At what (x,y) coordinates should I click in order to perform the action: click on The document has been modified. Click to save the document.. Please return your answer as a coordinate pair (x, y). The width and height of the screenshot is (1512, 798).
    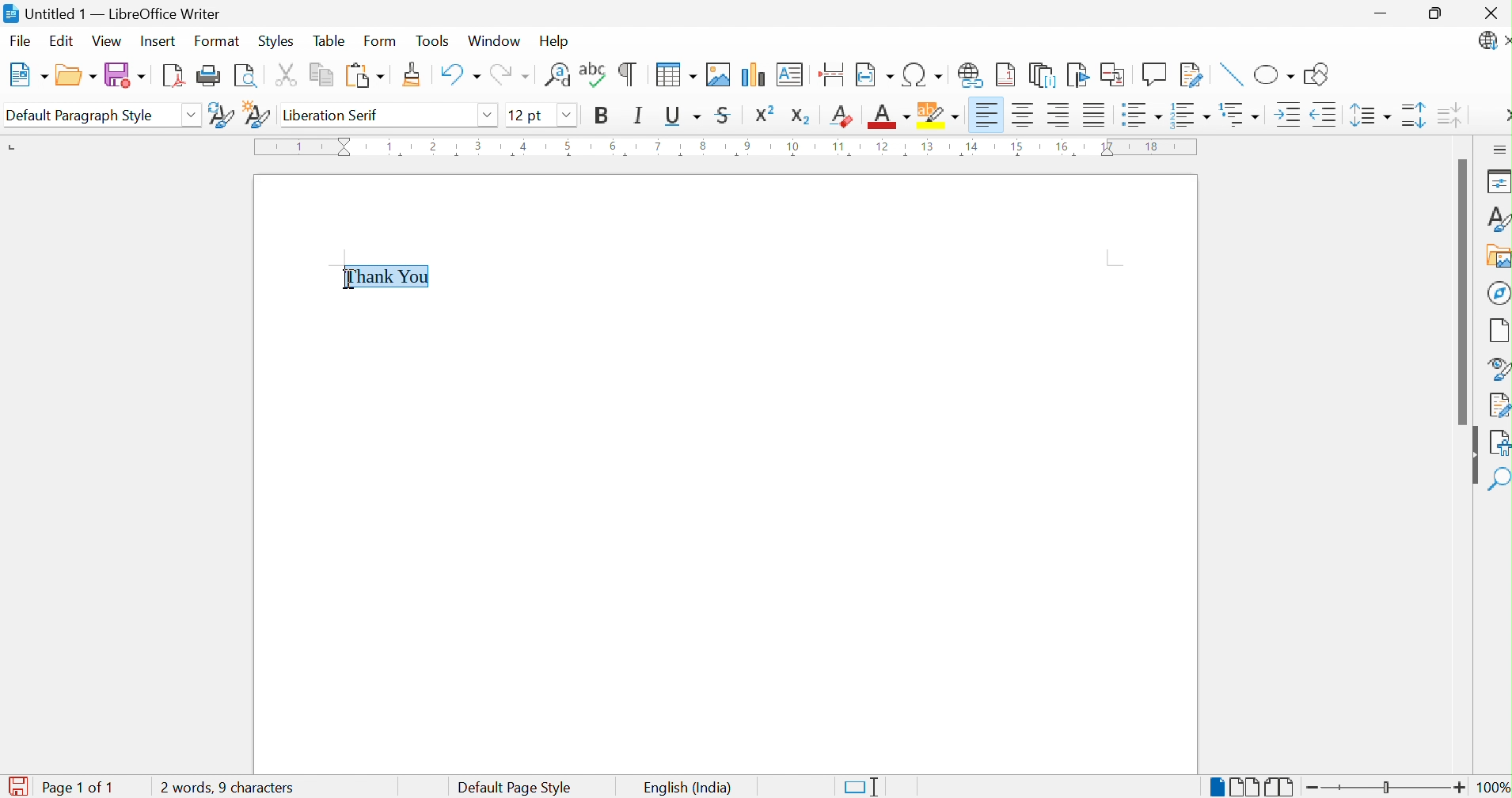
    Looking at the image, I should click on (17, 785).